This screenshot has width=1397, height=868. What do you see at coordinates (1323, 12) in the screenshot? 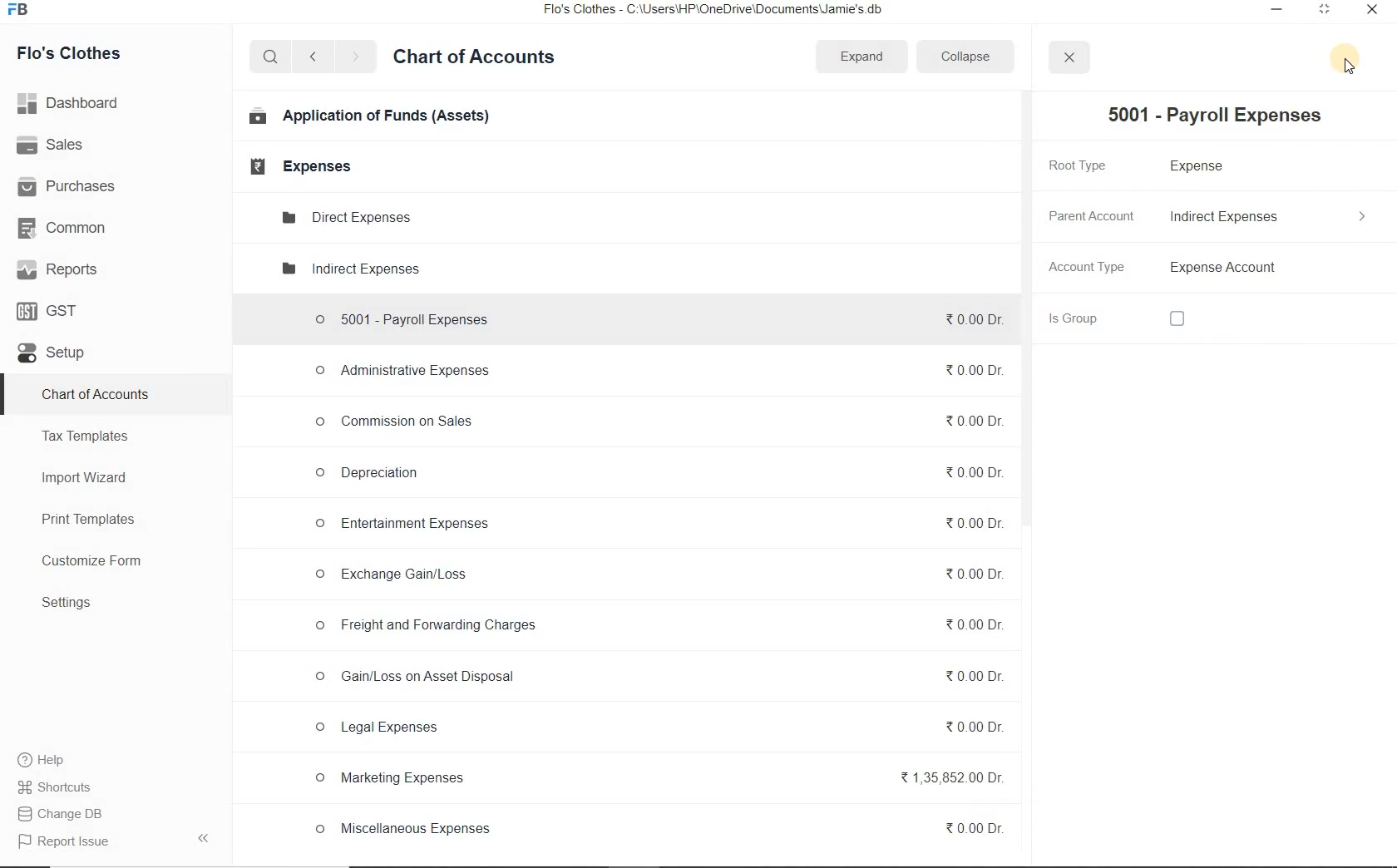
I see `restore down` at bounding box center [1323, 12].